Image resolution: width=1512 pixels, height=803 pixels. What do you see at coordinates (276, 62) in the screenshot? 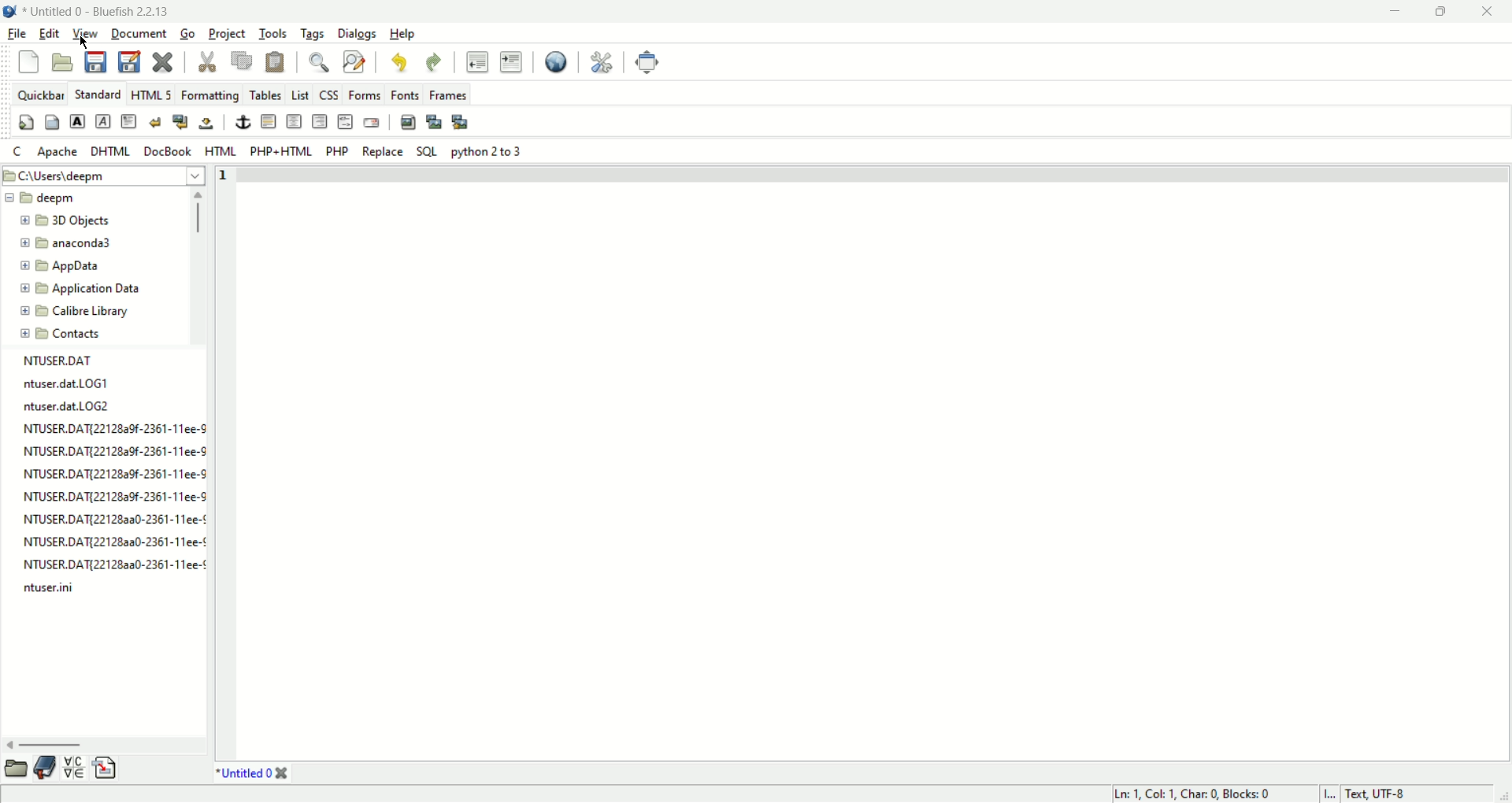
I see `paste` at bounding box center [276, 62].